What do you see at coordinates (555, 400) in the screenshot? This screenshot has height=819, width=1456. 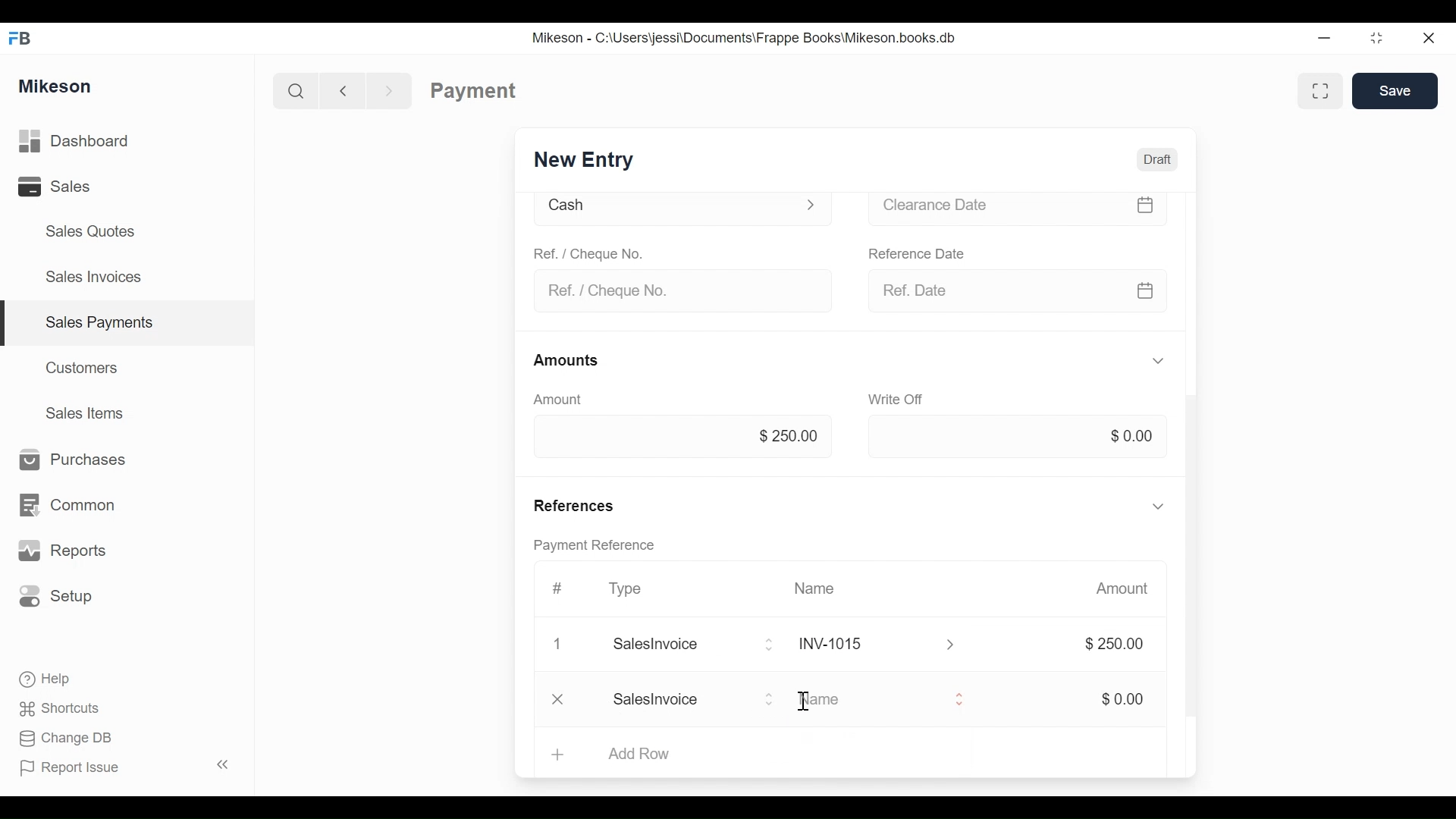 I see `Amount` at bounding box center [555, 400].